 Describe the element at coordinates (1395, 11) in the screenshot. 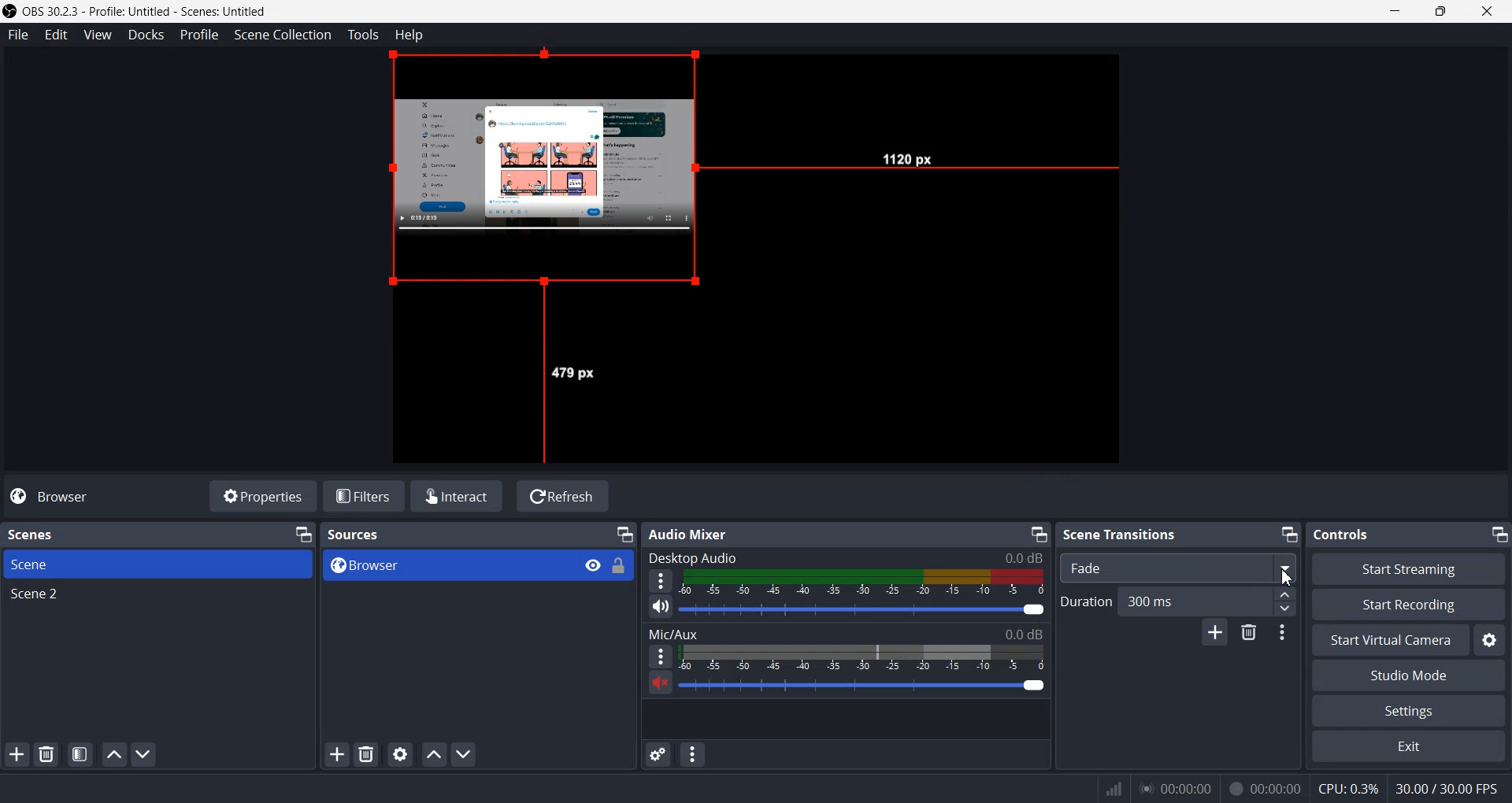

I see `Minimize` at that location.